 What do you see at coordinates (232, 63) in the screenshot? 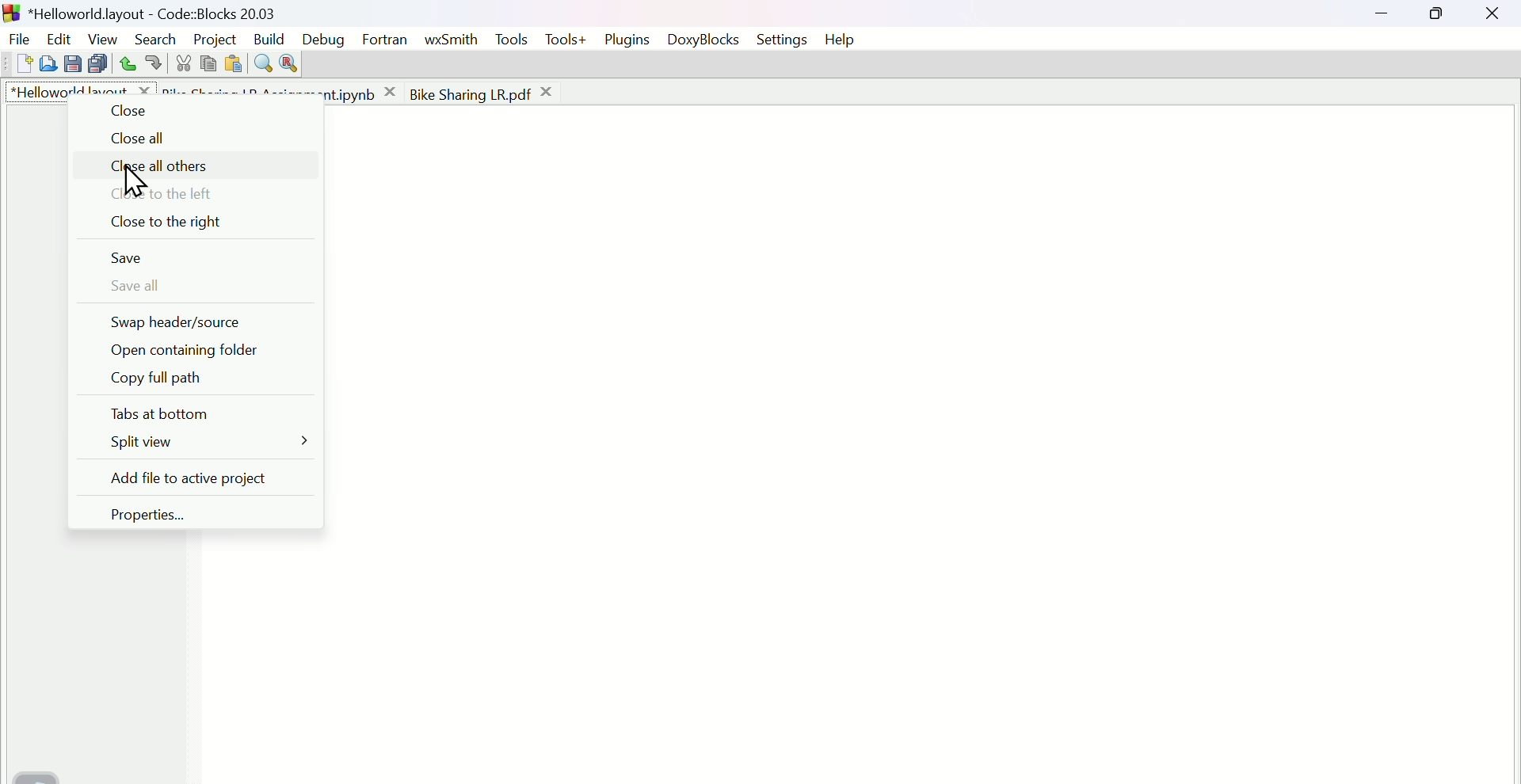
I see `Paste` at bounding box center [232, 63].